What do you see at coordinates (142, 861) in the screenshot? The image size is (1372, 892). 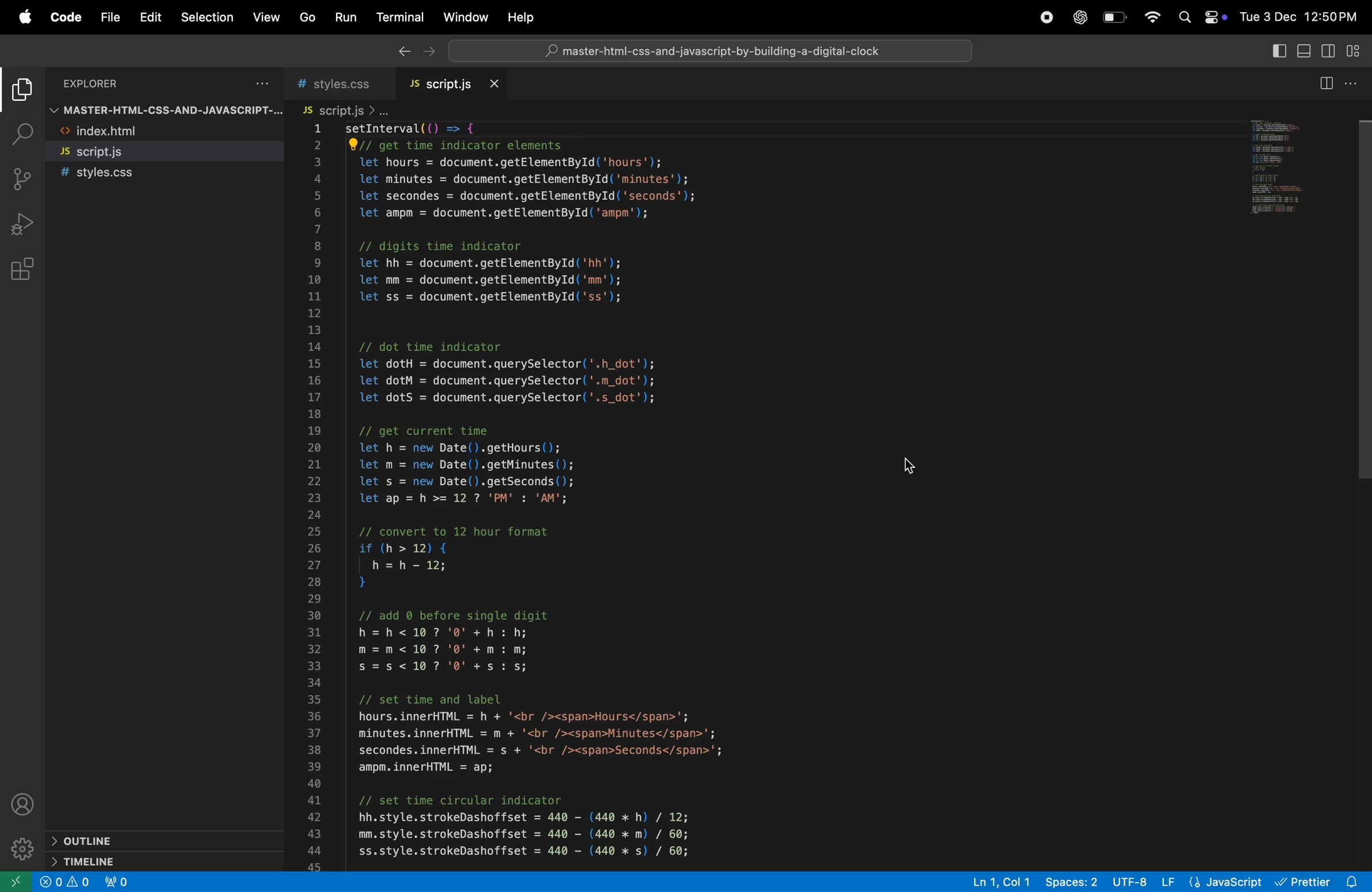 I see `time line` at bounding box center [142, 861].